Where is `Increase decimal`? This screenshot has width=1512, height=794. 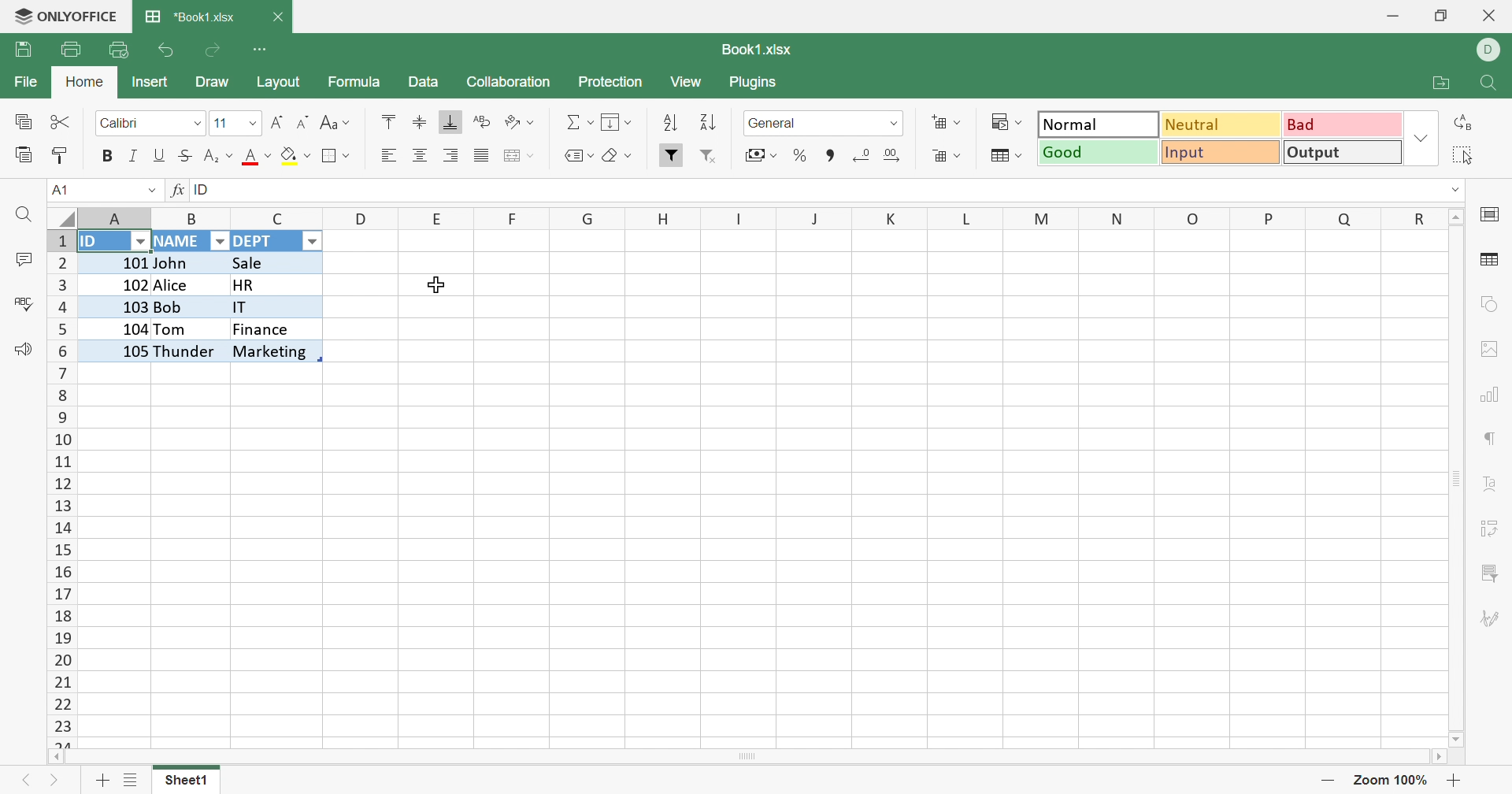 Increase decimal is located at coordinates (895, 156).